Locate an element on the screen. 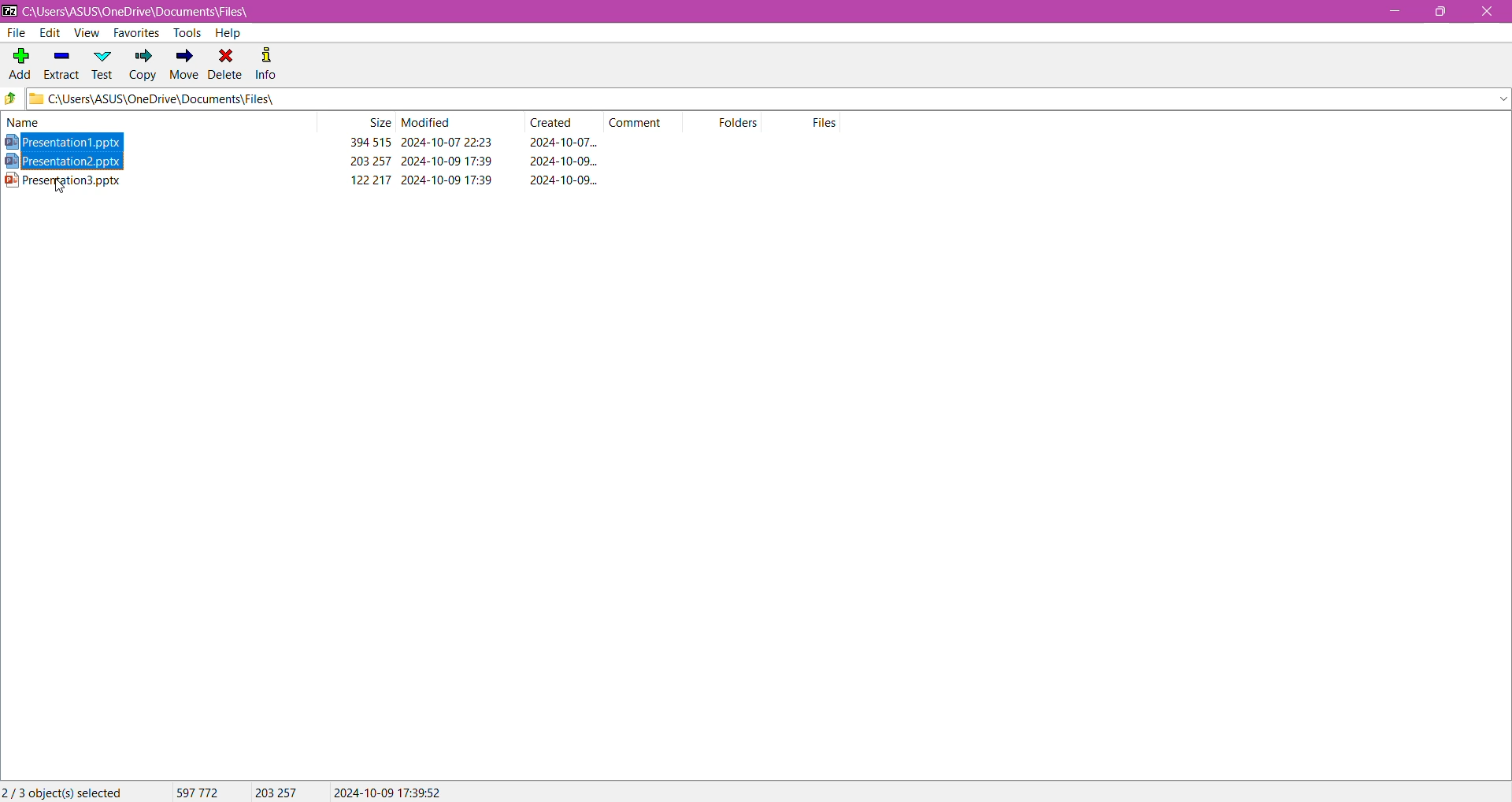  Help is located at coordinates (228, 33).